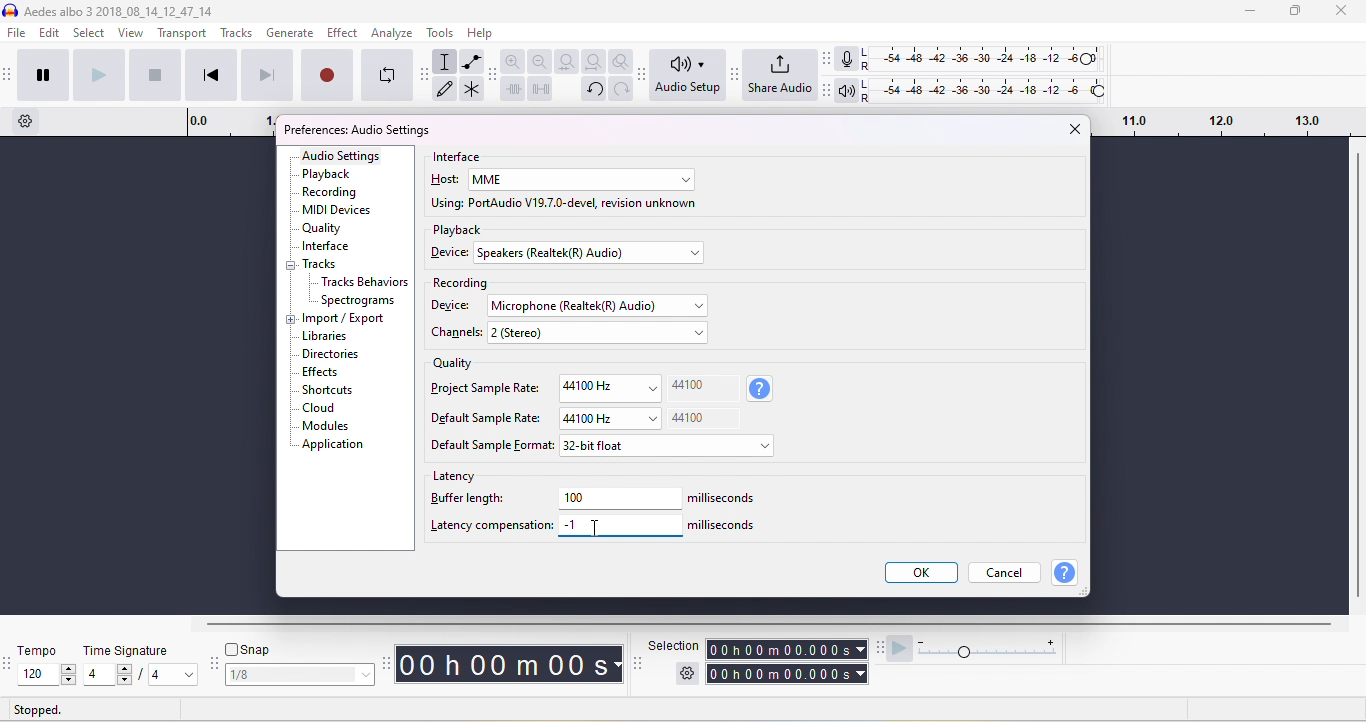 This screenshot has width=1366, height=722. Describe the element at coordinates (470, 499) in the screenshot. I see `buffer length` at that location.